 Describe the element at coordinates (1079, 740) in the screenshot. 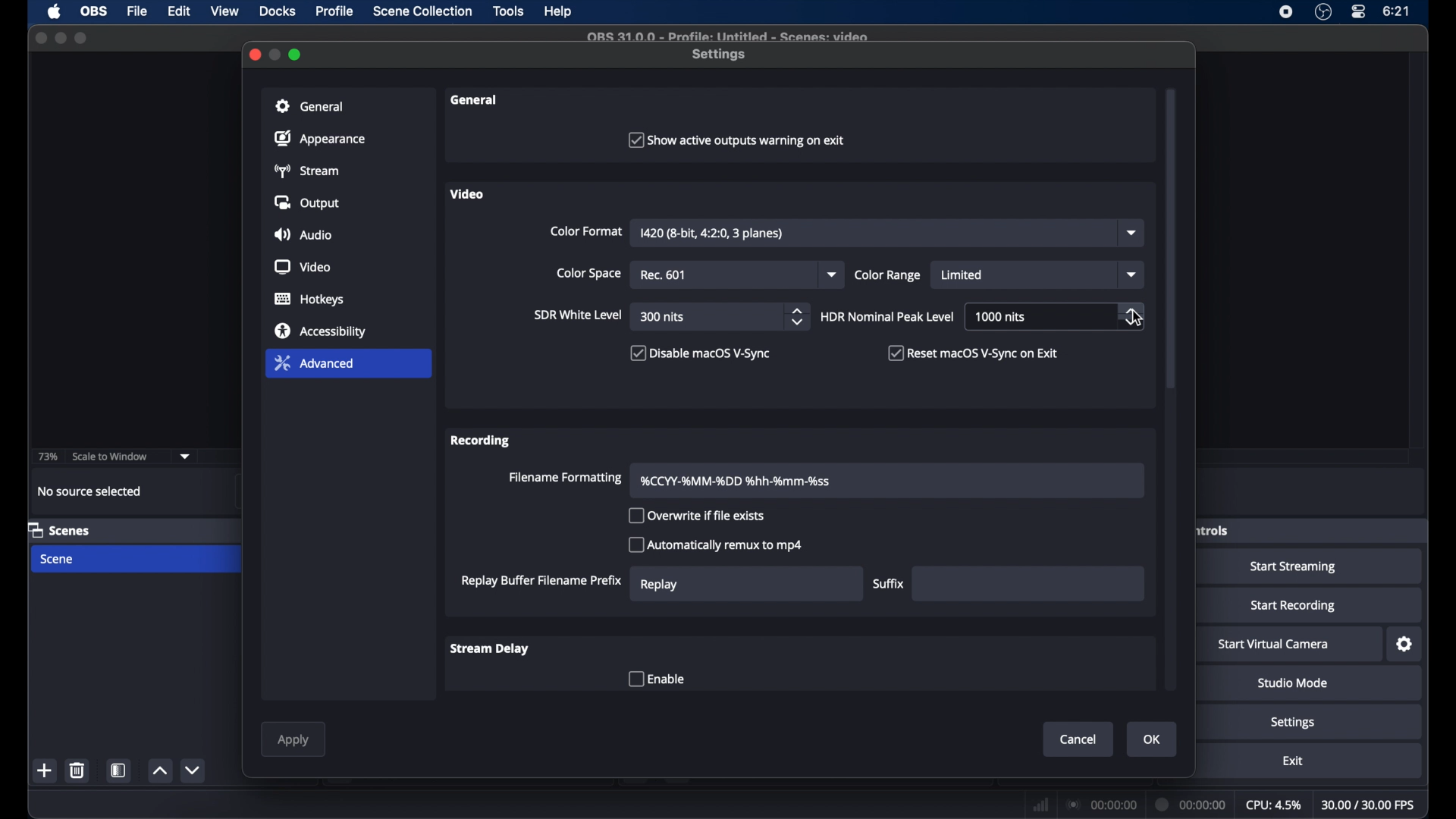

I see `cancel` at that location.